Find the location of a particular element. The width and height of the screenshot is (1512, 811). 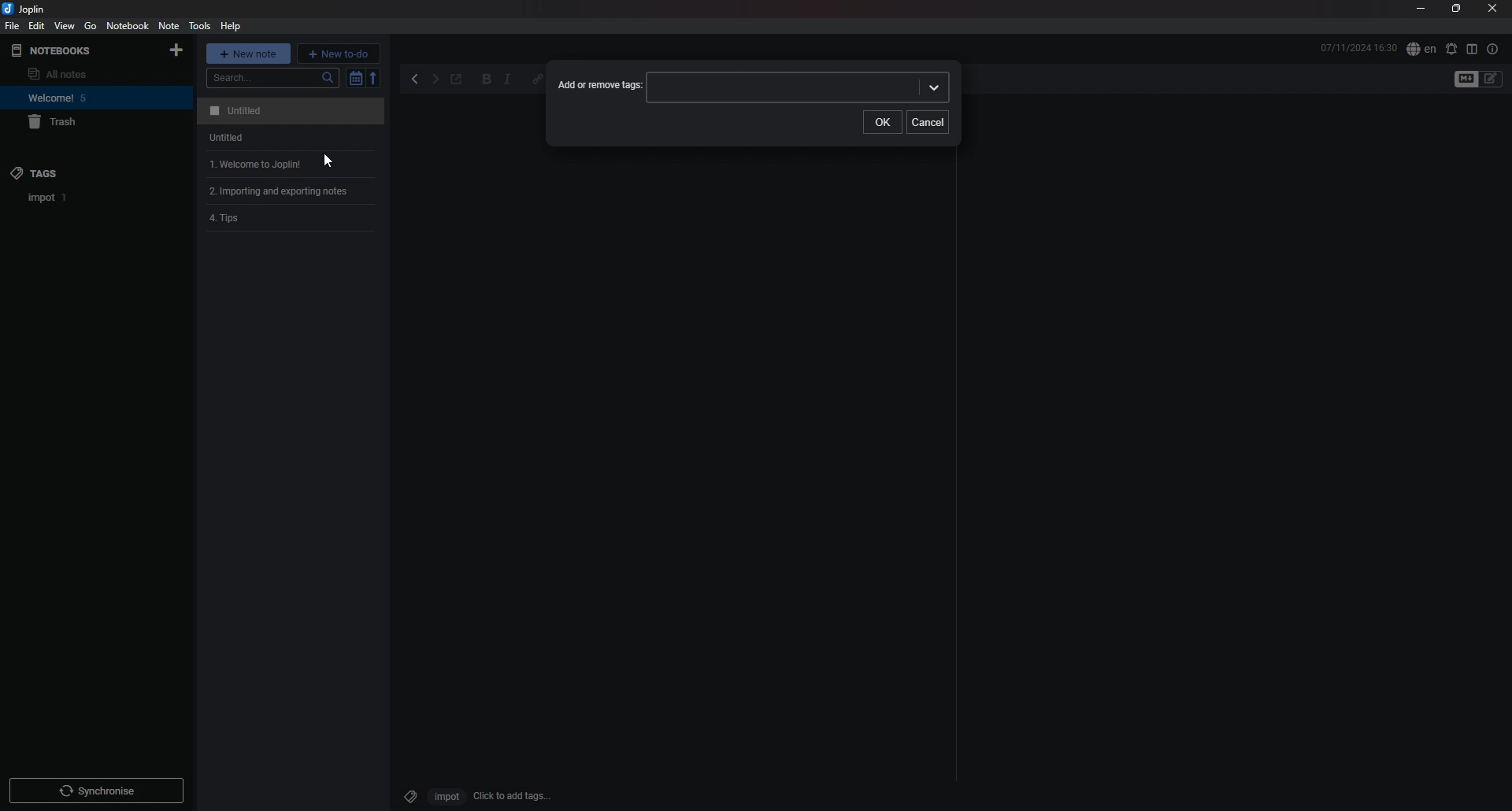

4. Tips is located at coordinates (232, 220).